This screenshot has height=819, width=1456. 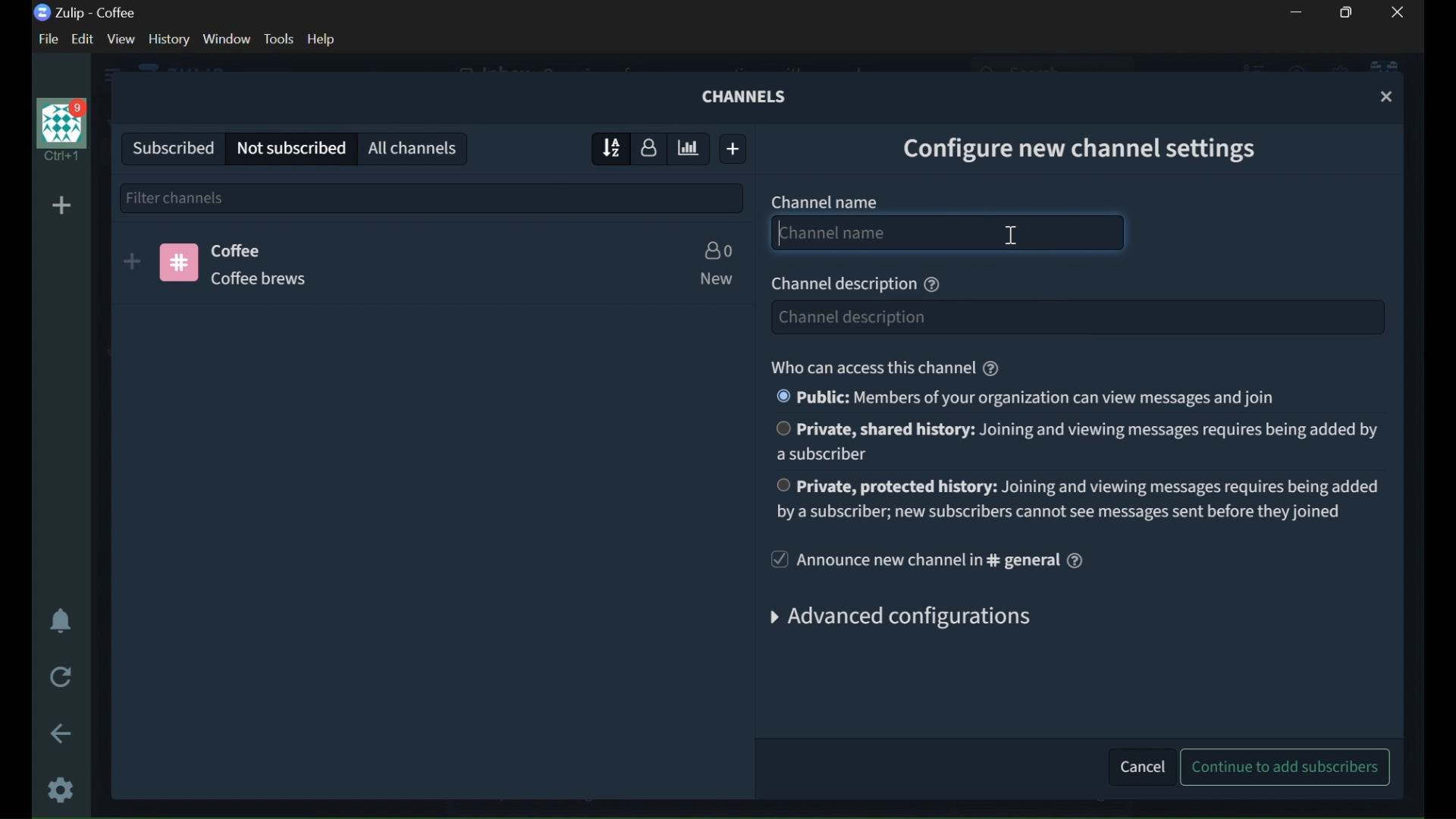 What do you see at coordinates (825, 201) in the screenshot?
I see `CHANNEL NAME` at bounding box center [825, 201].